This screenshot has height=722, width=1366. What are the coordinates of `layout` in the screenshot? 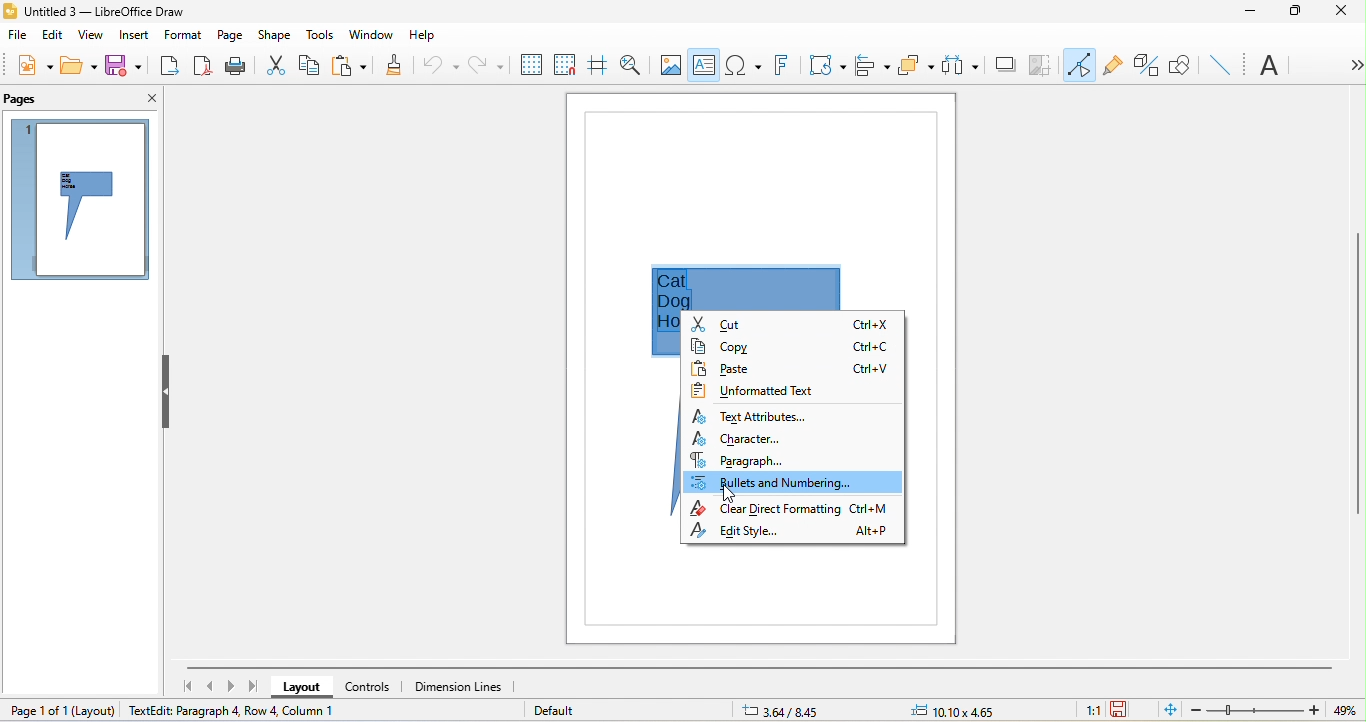 It's located at (94, 708).